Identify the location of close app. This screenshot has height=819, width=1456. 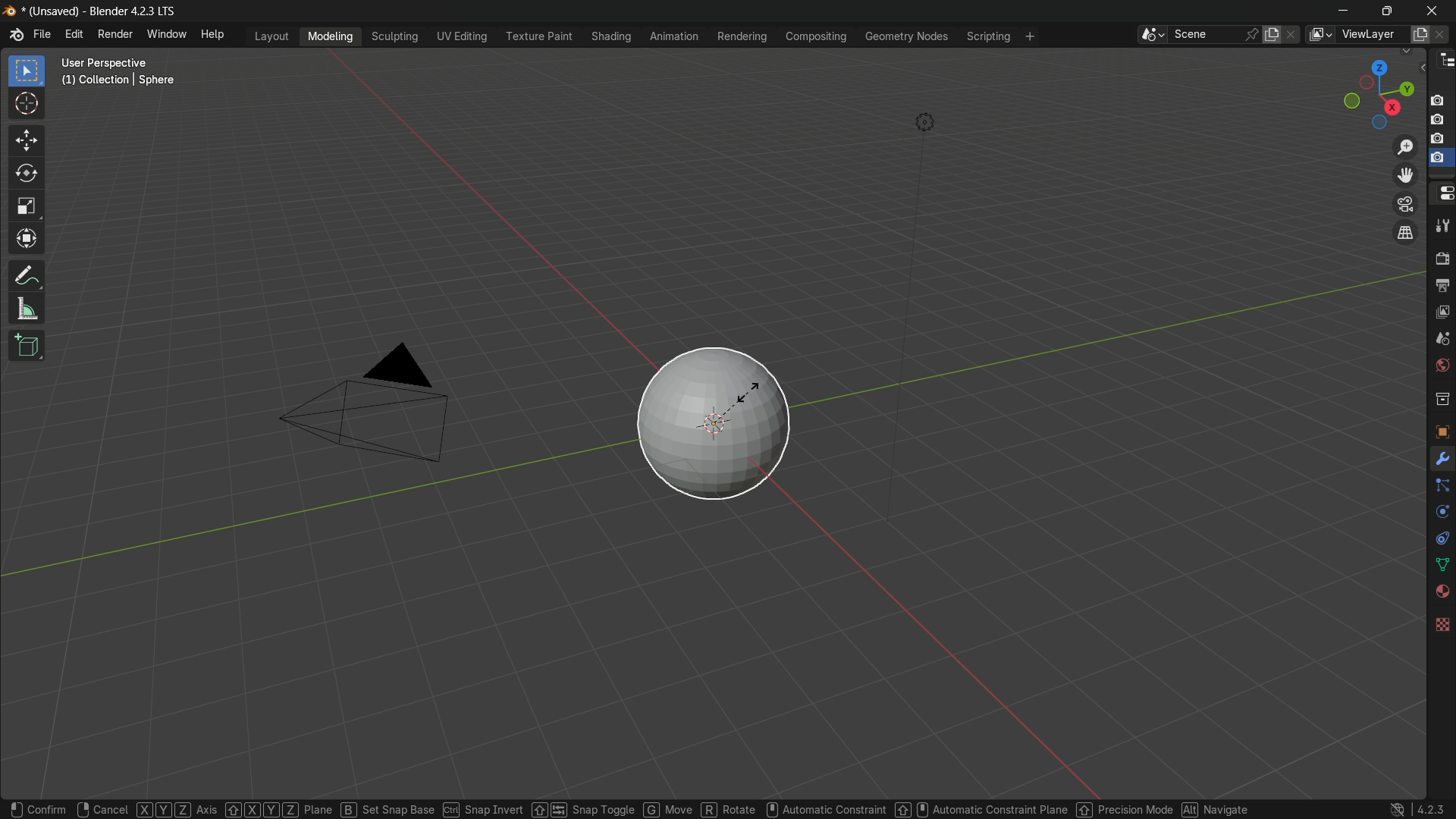
(1435, 10).